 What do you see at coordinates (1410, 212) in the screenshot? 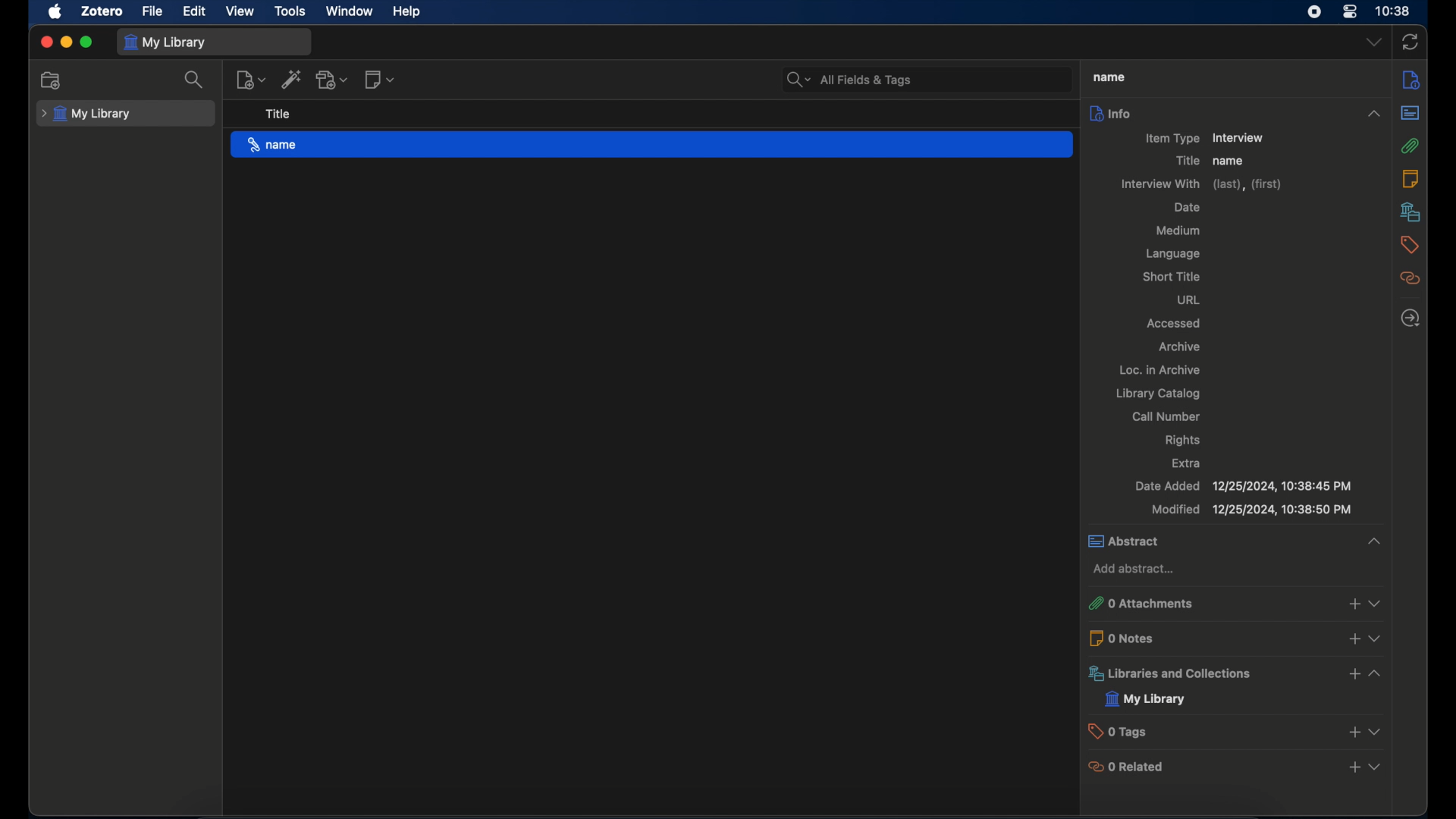
I see `libraries ` at bounding box center [1410, 212].